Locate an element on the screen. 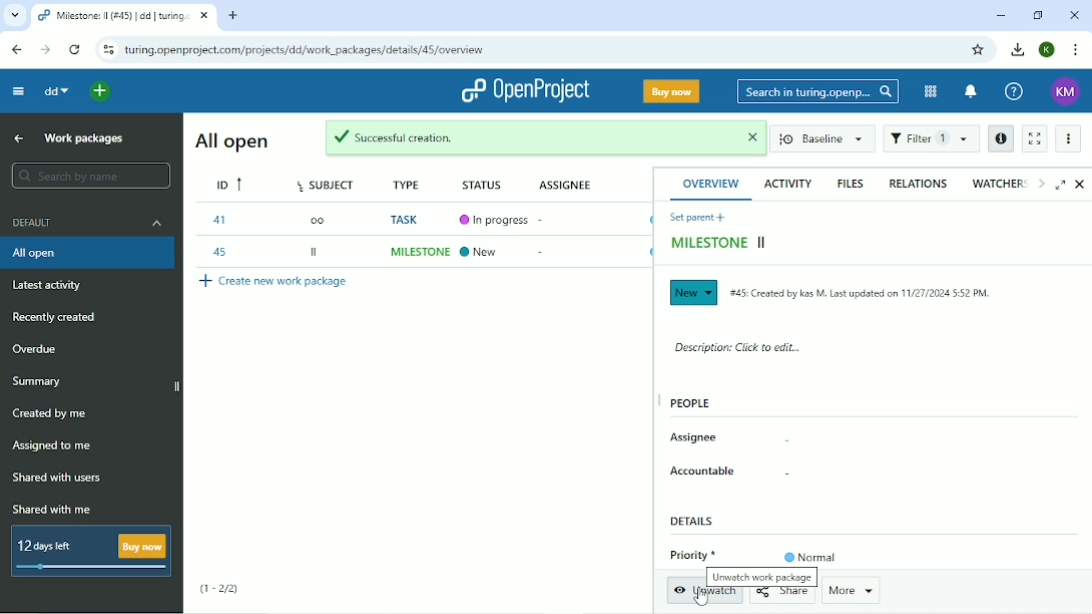 Image resolution: width=1092 pixels, height=614 pixels. Set parent is located at coordinates (701, 217).